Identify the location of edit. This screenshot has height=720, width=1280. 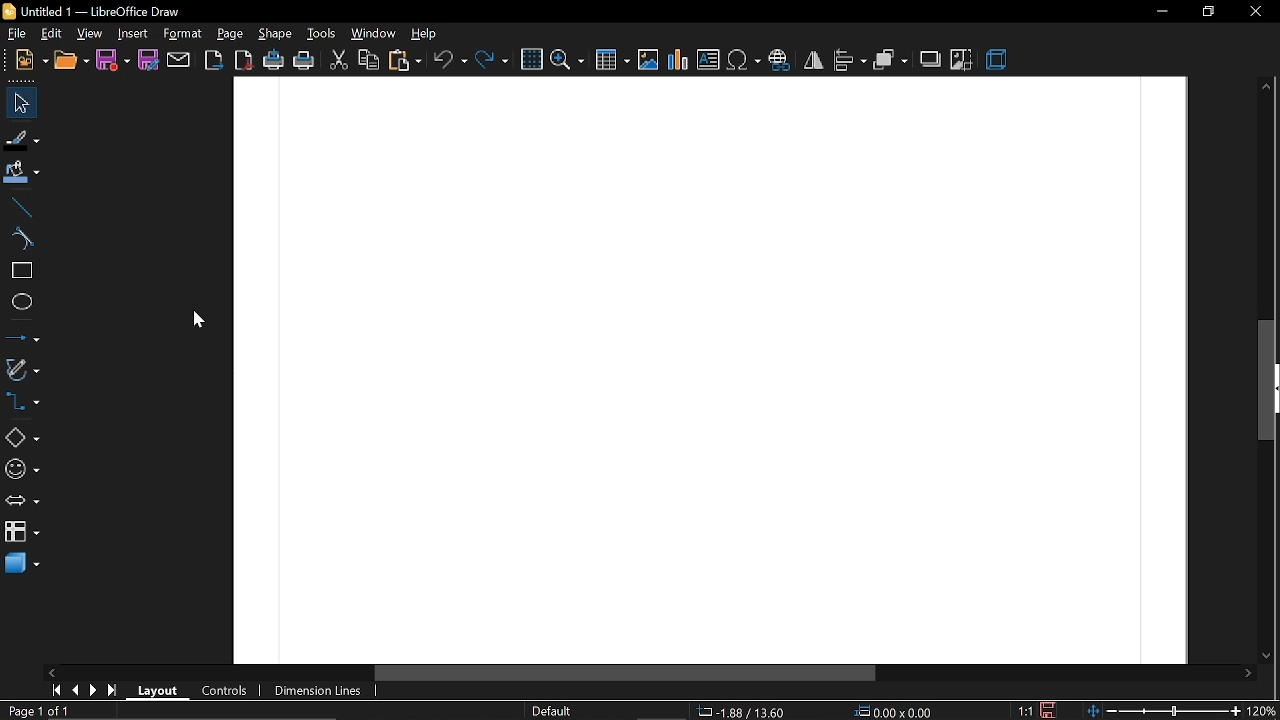
(54, 34).